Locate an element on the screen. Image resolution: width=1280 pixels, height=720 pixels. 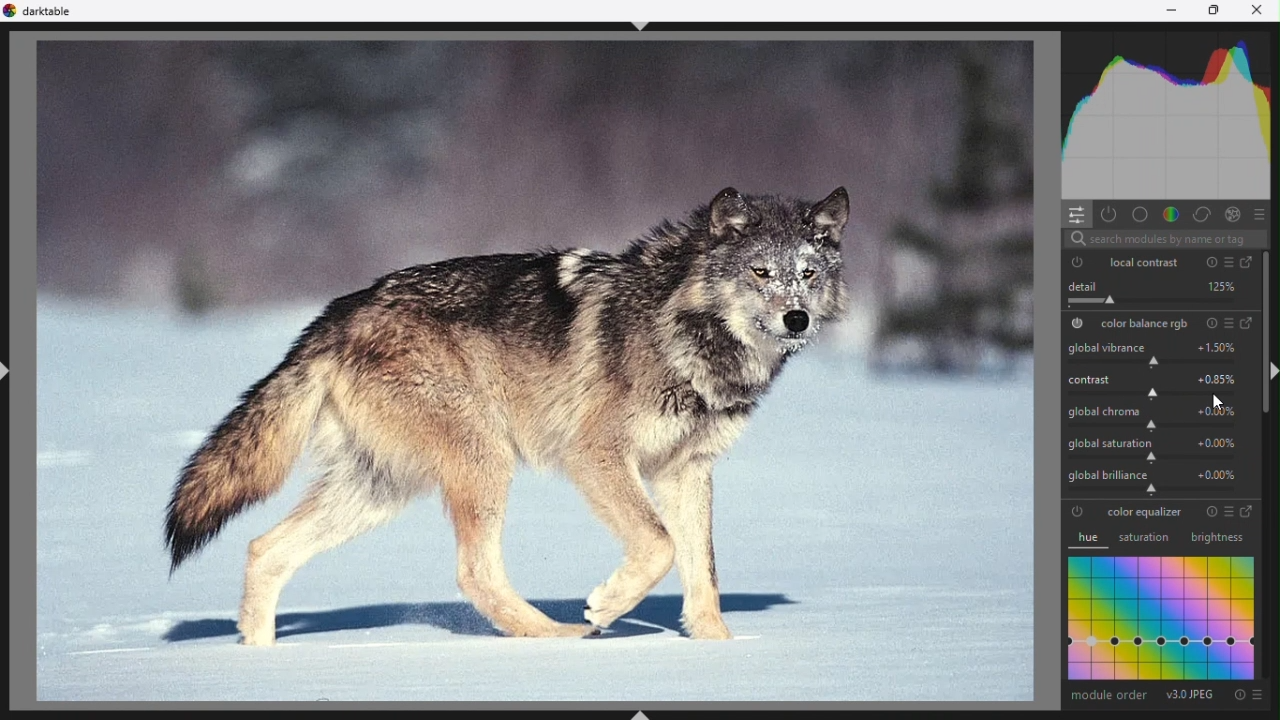
details slider is located at coordinates (1152, 292).